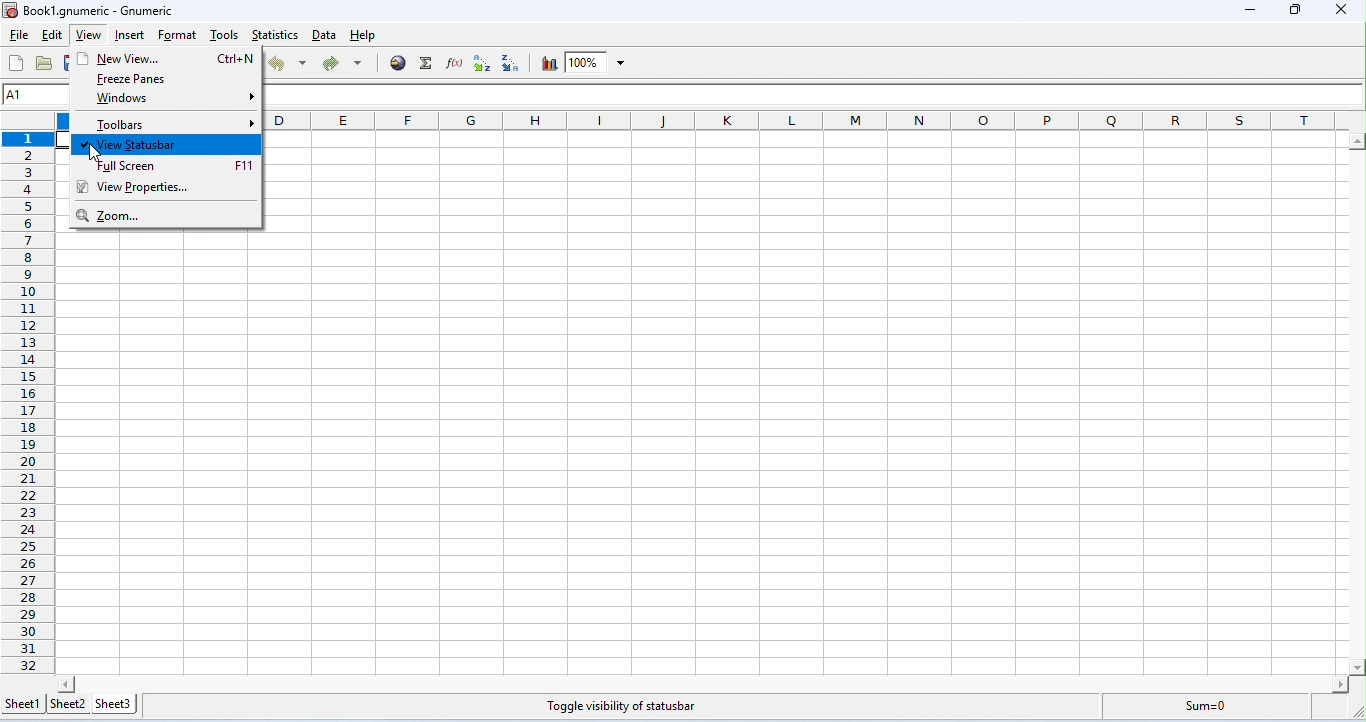 Image resolution: width=1366 pixels, height=722 pixels. What do you see at coordinates (139, 217) in the screenshot?
I see `zoom` at bounding box center [139, 217].